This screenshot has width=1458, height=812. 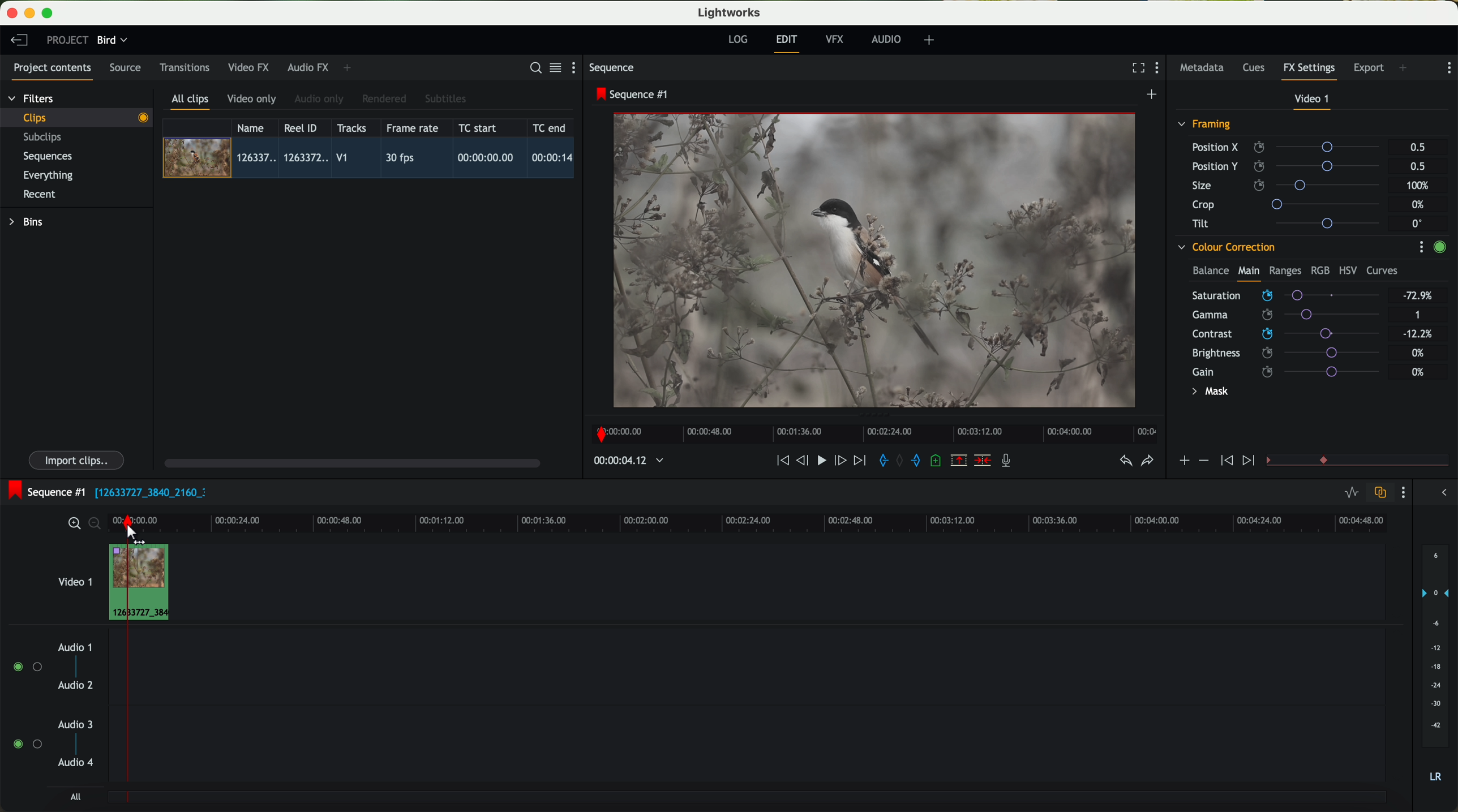 What do you see at coordinates (1418, 372) in the screenshot?
I see `0%` at bounding box center [1418, 372].